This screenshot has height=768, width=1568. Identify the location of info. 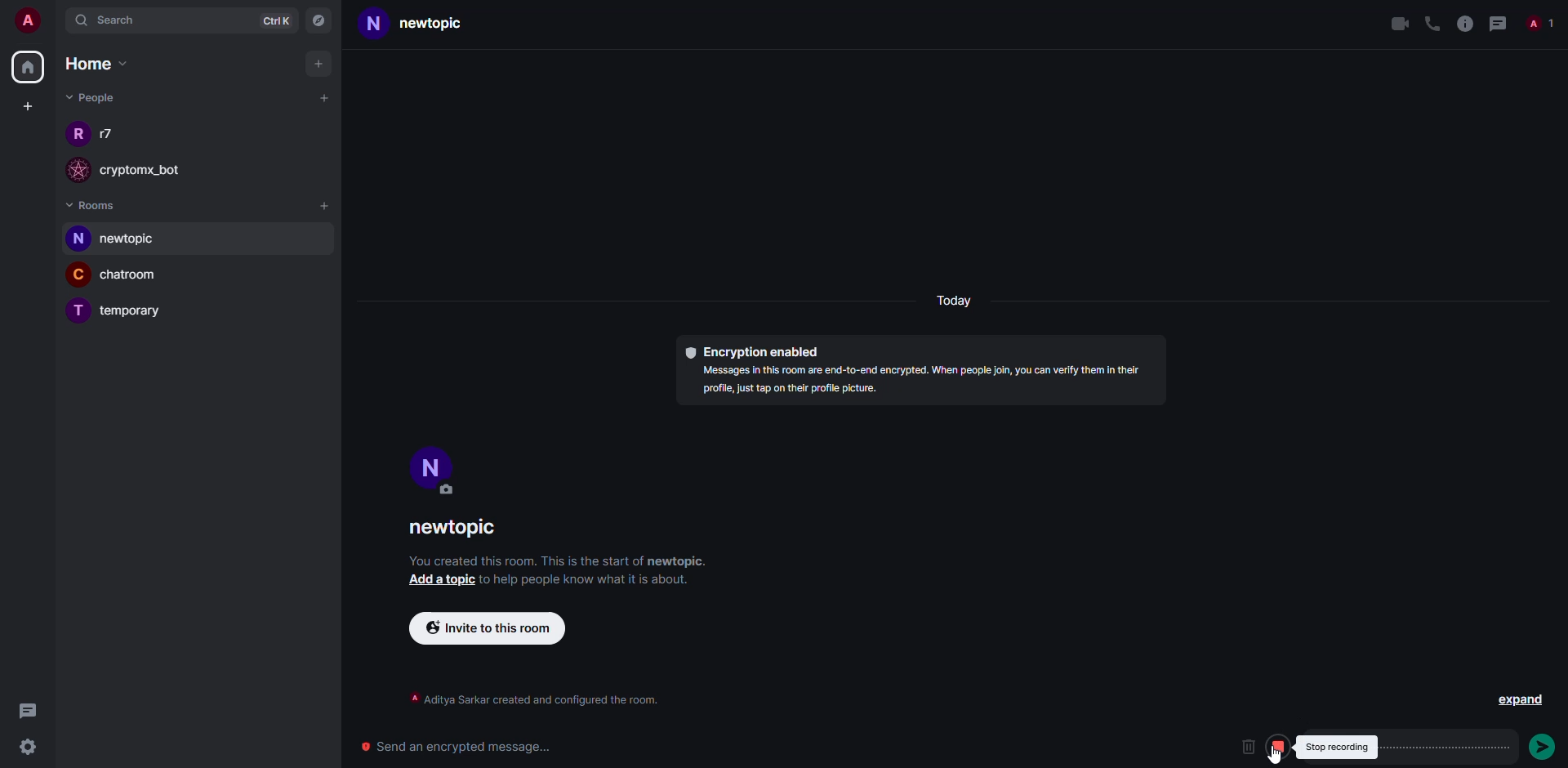
(590, 583).